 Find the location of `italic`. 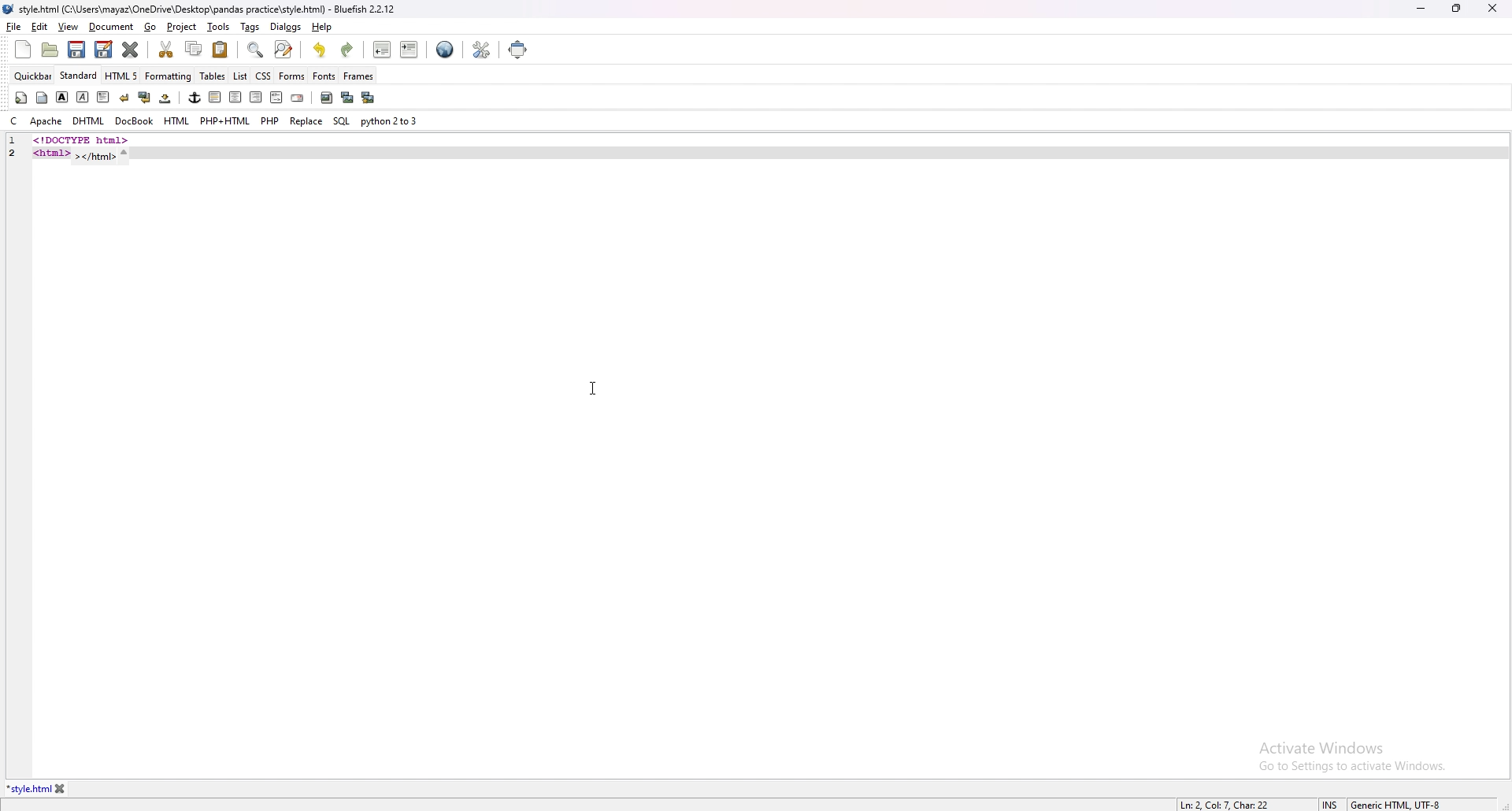

italic is located at coordinates (83, 96).